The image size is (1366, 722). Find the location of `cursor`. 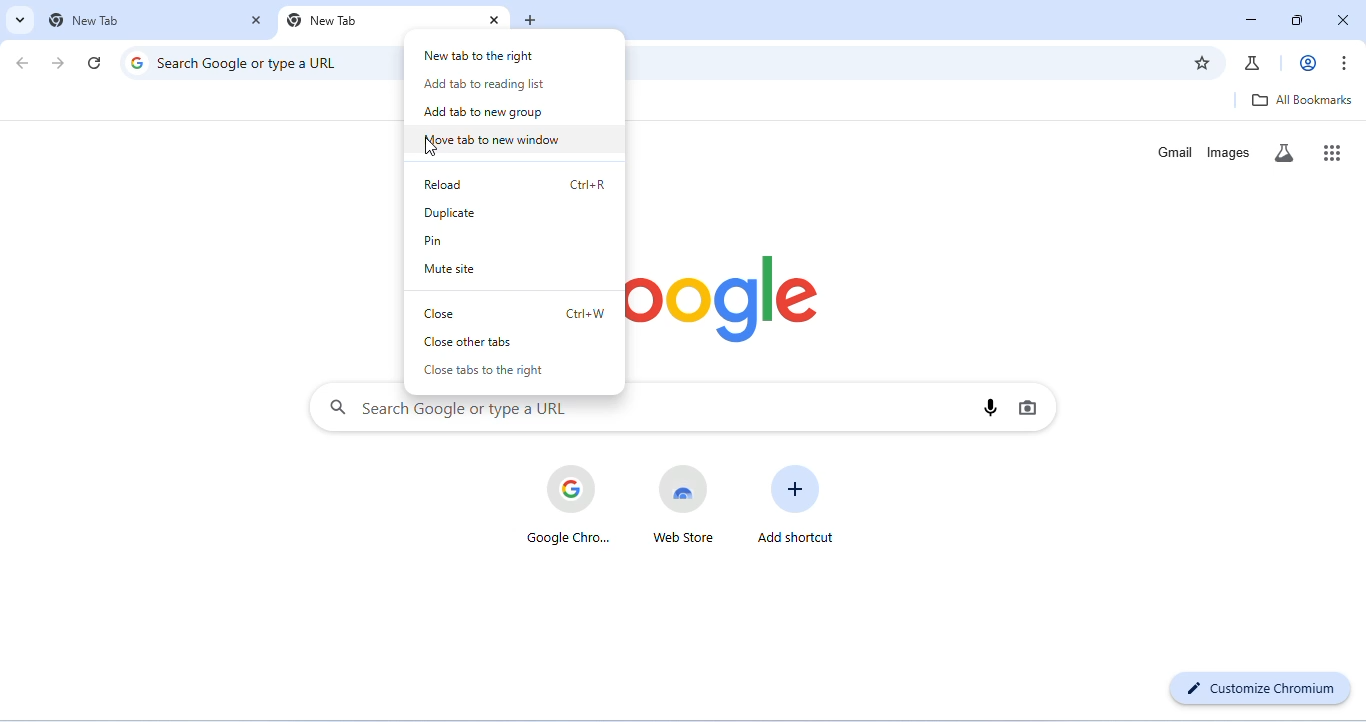

cursor is located at coordinates (434, 149).